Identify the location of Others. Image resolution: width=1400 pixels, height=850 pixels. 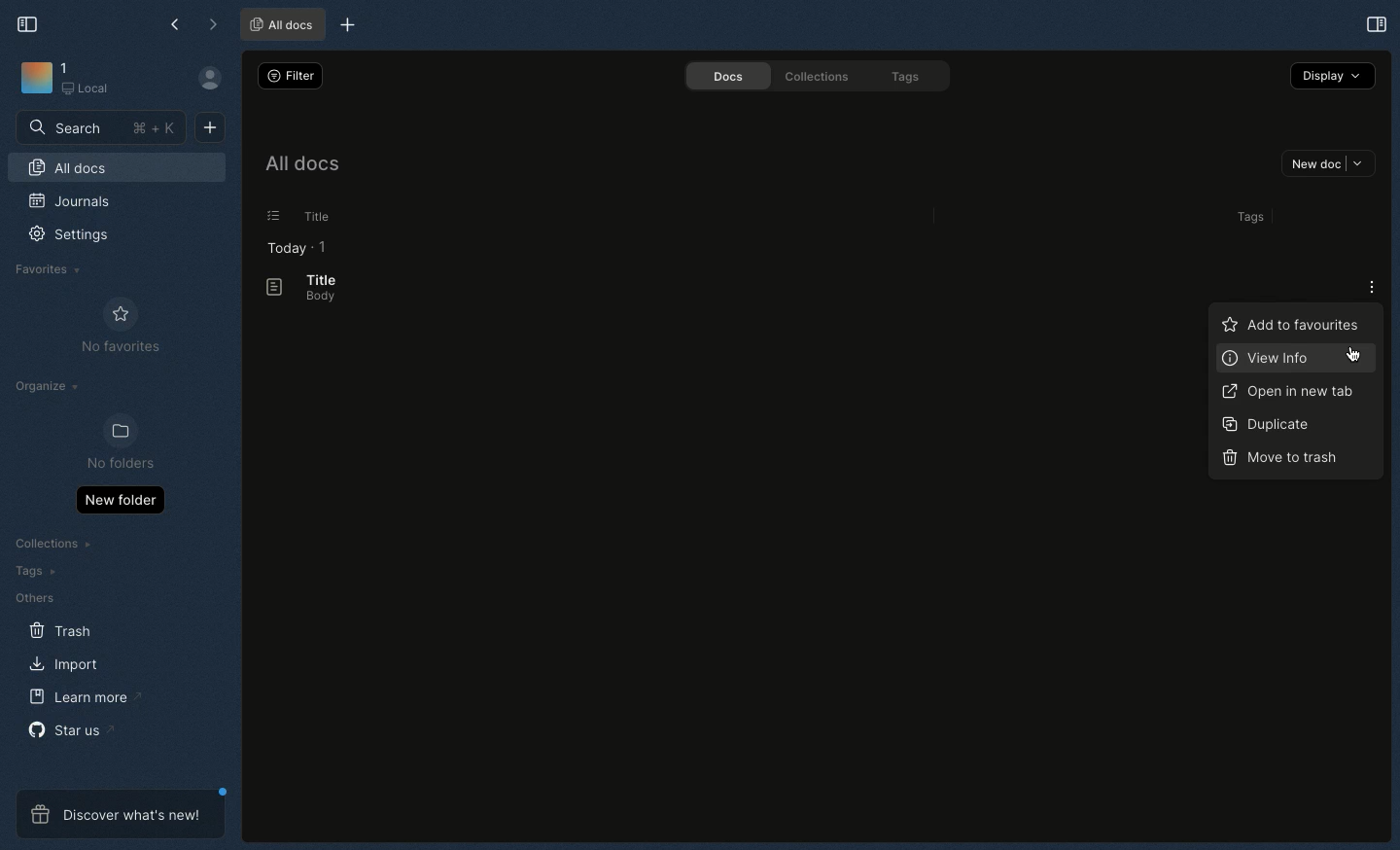
(34, 598).